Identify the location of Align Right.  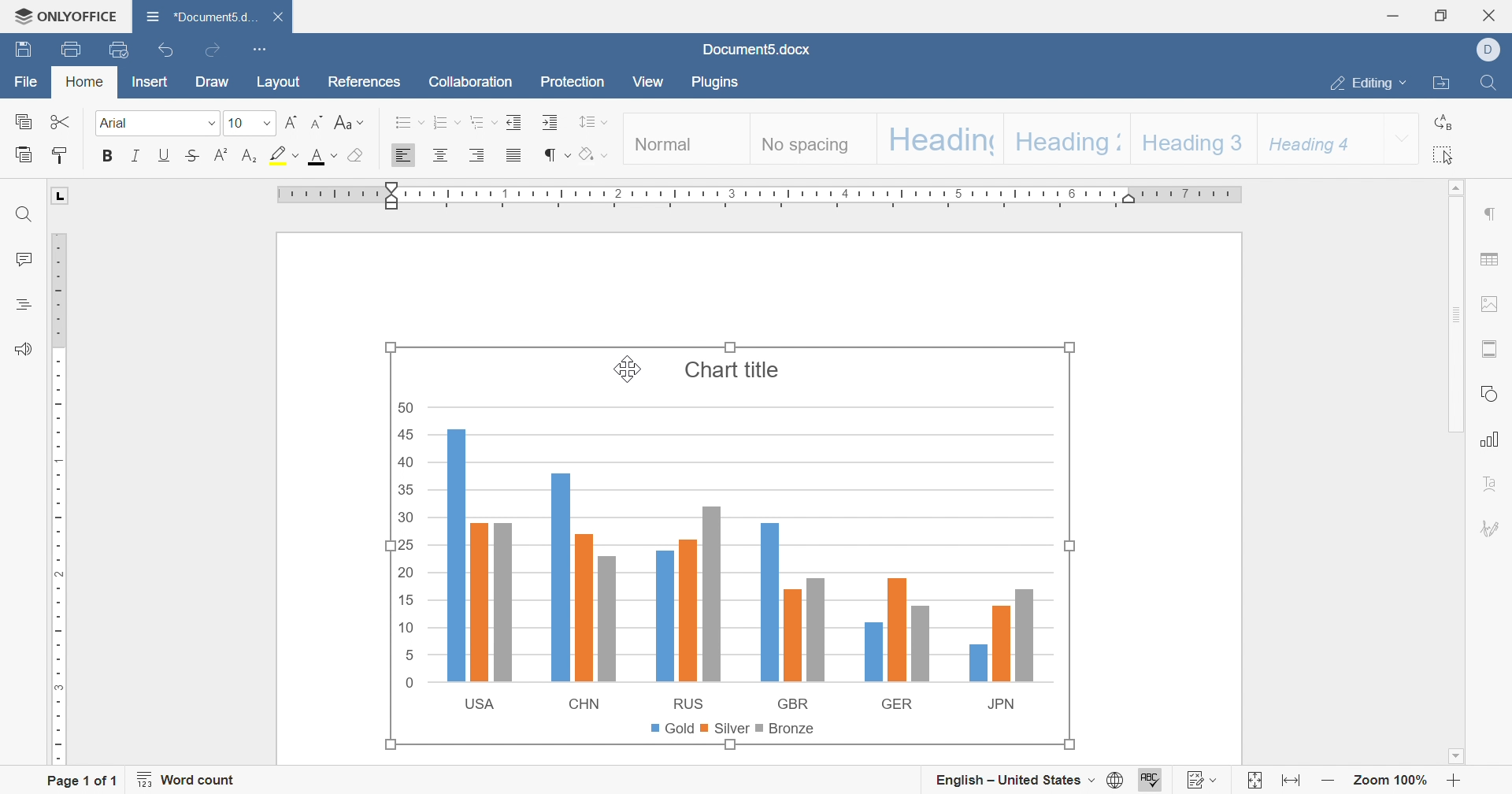
(477, 155).